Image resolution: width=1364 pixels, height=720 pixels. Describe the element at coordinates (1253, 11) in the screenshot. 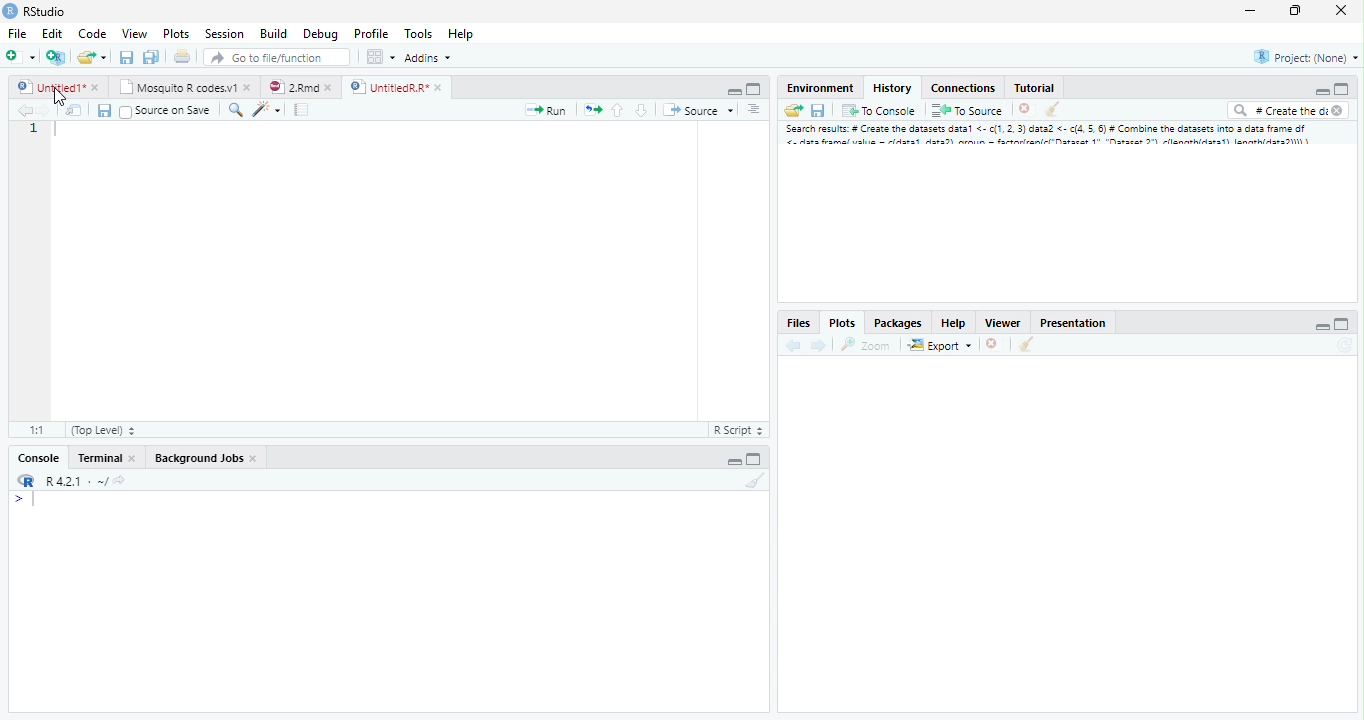

I see `Minimize` at that location.